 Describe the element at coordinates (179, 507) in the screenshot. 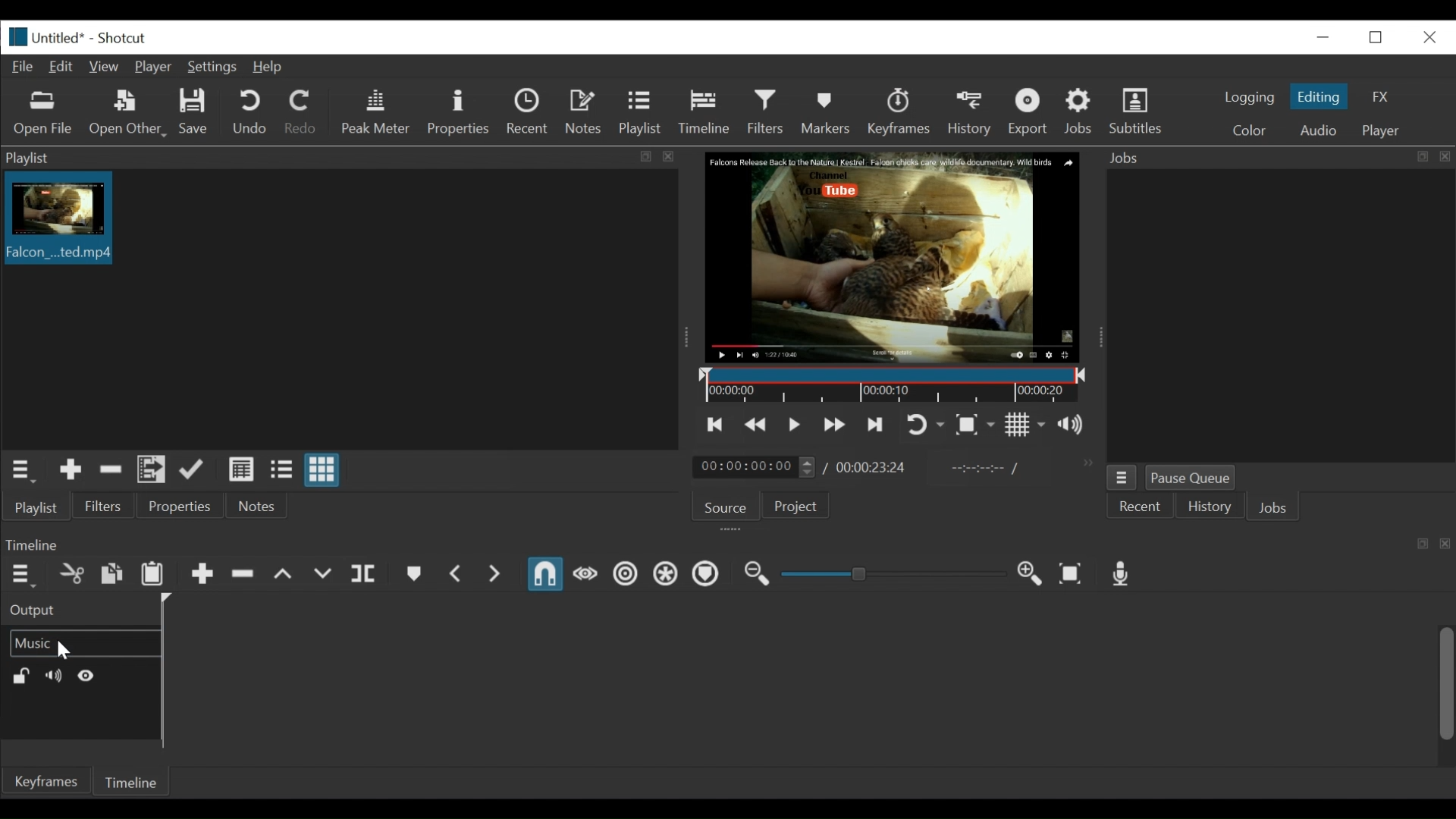

I see `Properties` at that location.